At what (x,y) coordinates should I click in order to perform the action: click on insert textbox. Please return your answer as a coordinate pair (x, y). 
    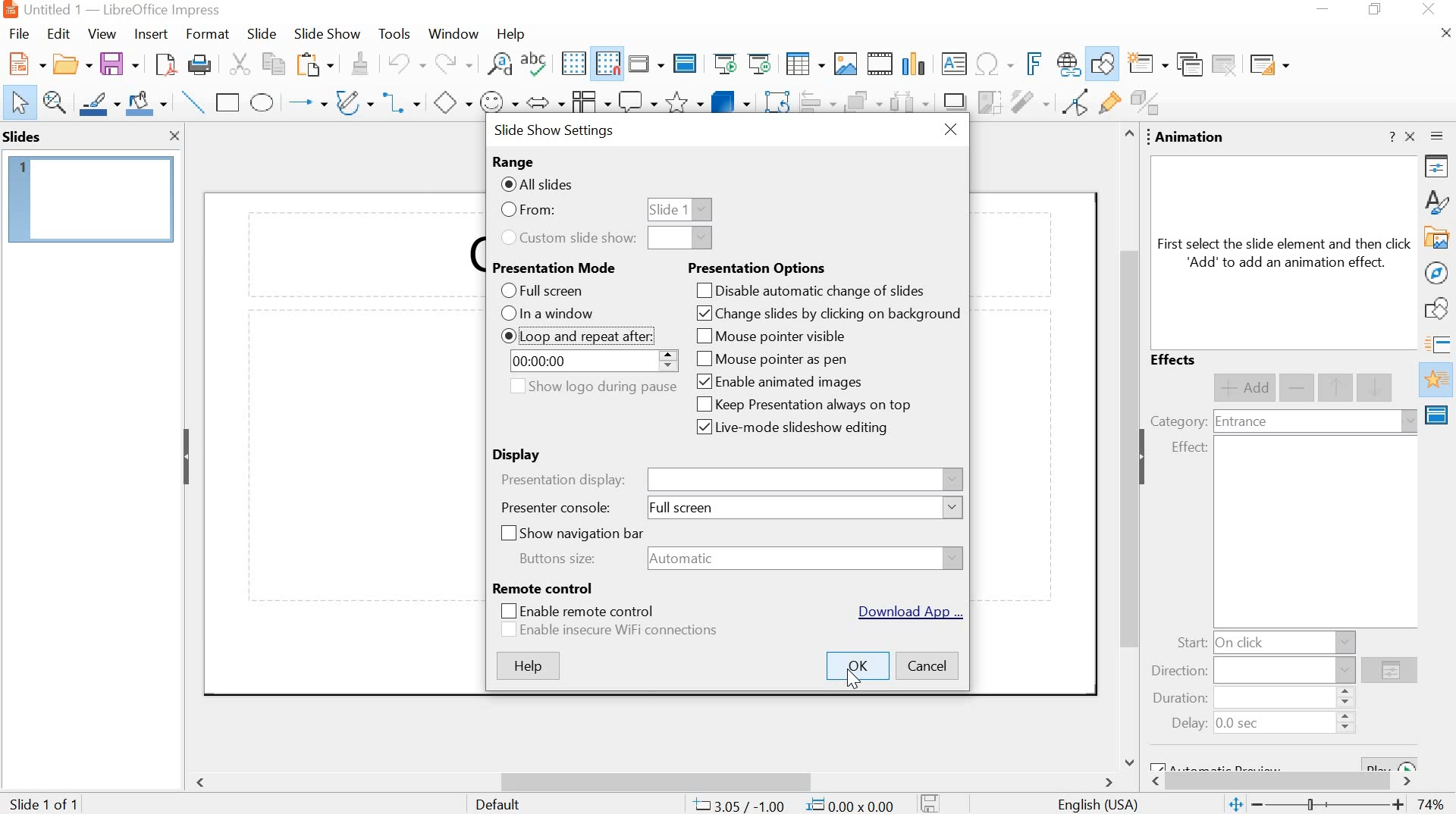
    Looking at the image, I should click on (955, 64).